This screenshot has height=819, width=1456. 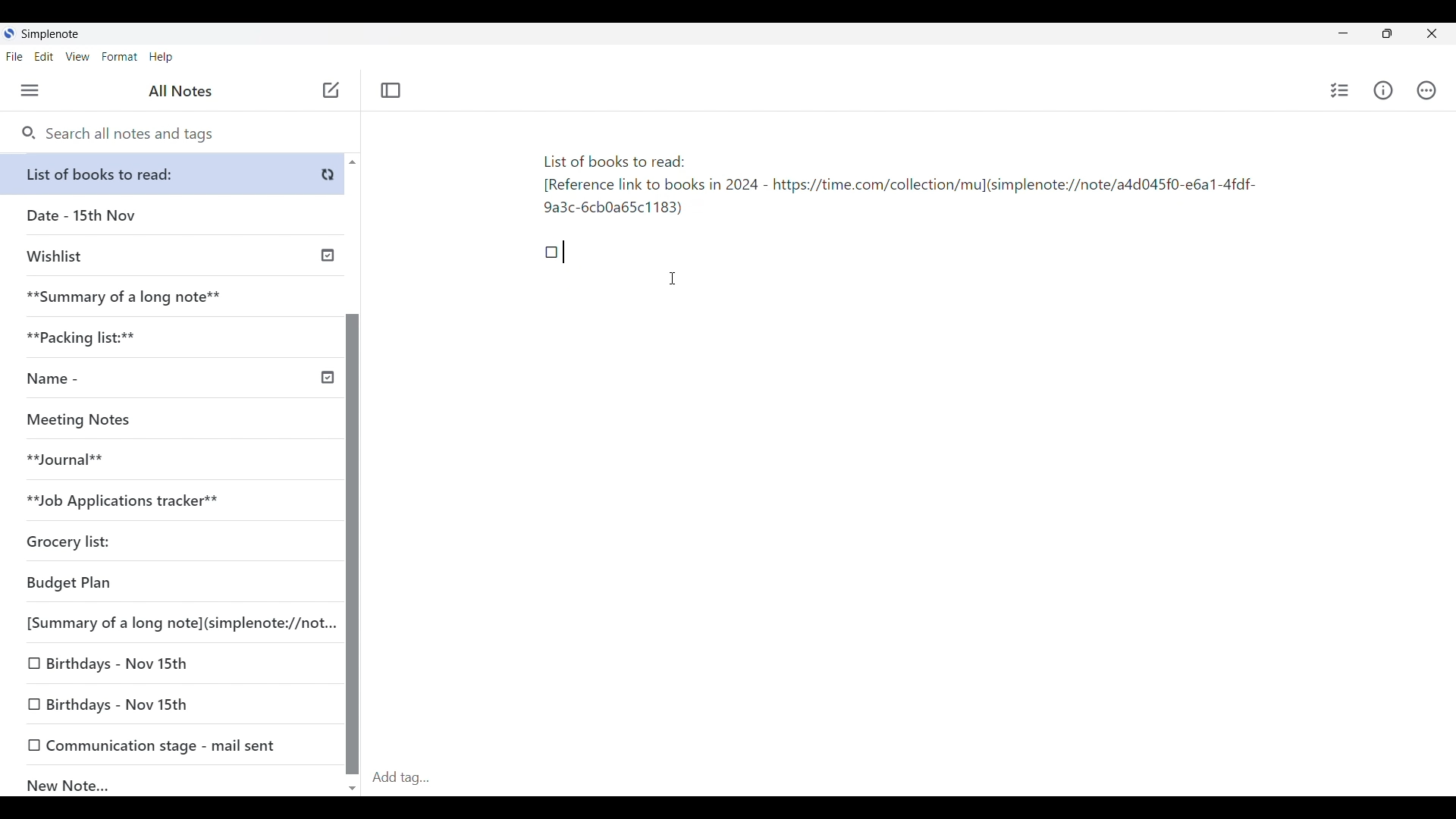 I want to click on New text automatically converted to checklist as a markdown, so click(x=552, y=253).